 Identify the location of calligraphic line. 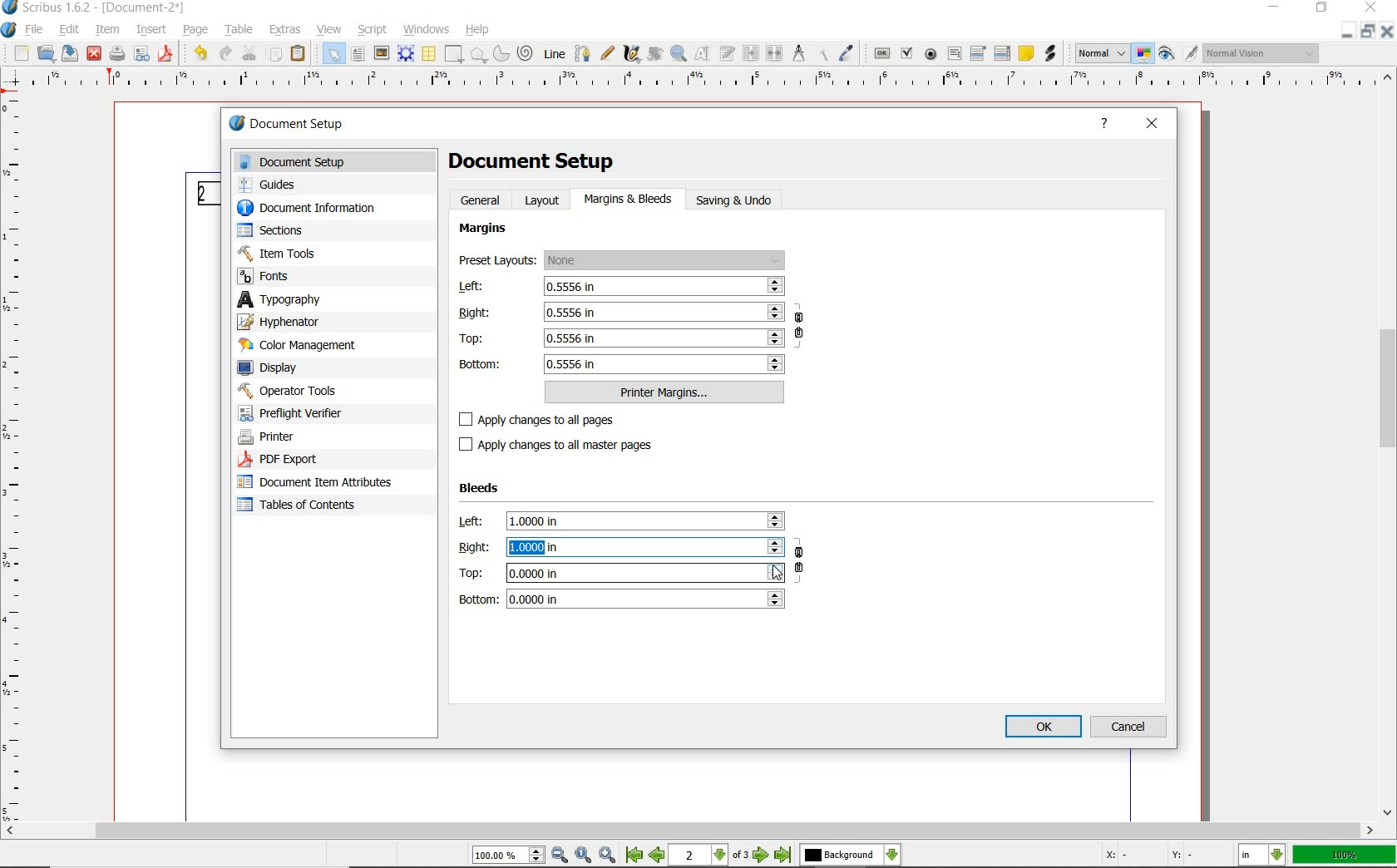
(633, 54).